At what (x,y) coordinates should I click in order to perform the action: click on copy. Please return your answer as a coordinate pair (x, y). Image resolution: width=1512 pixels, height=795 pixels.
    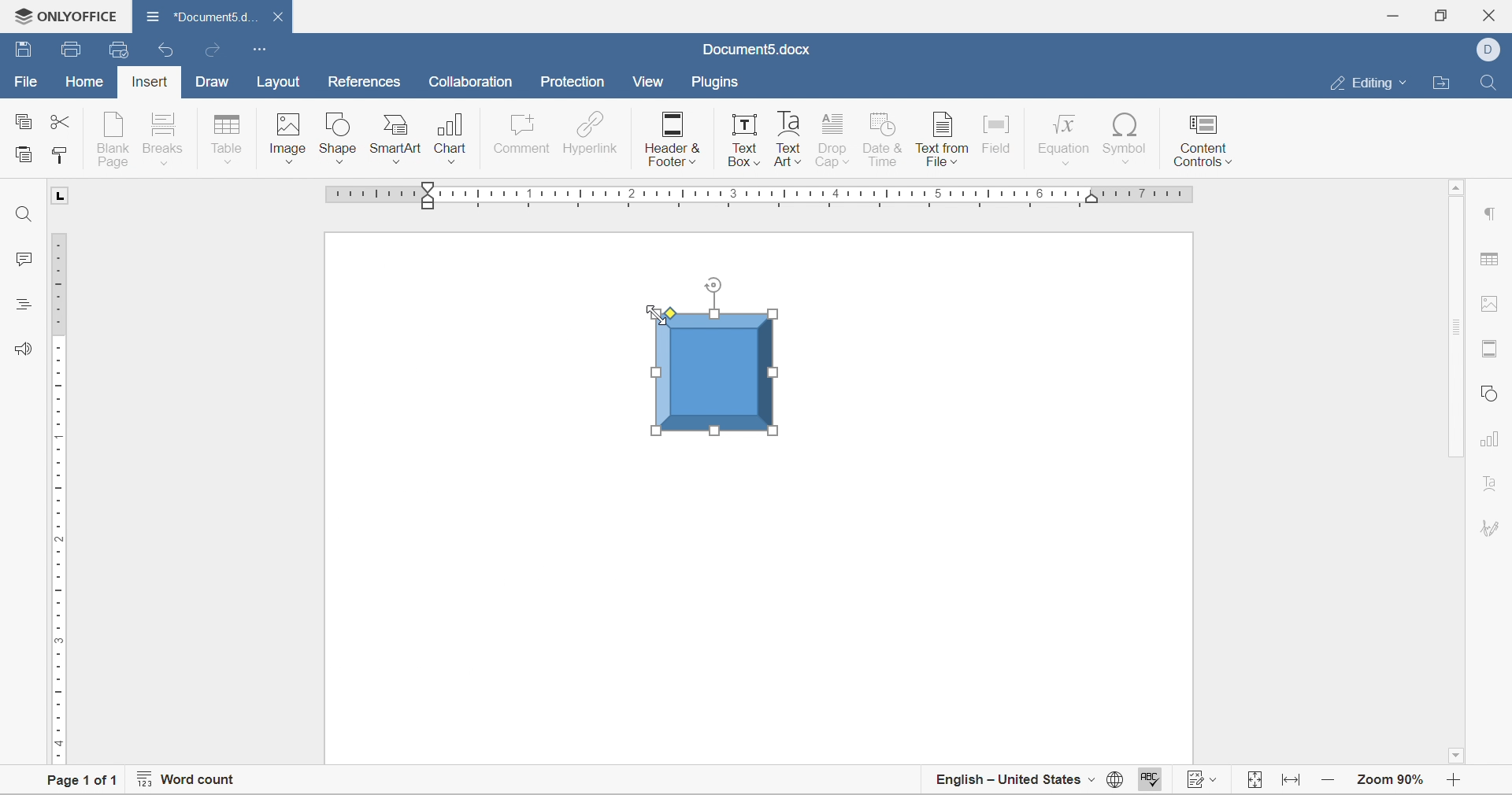
    Looking at the image, I should click on (20, 120).